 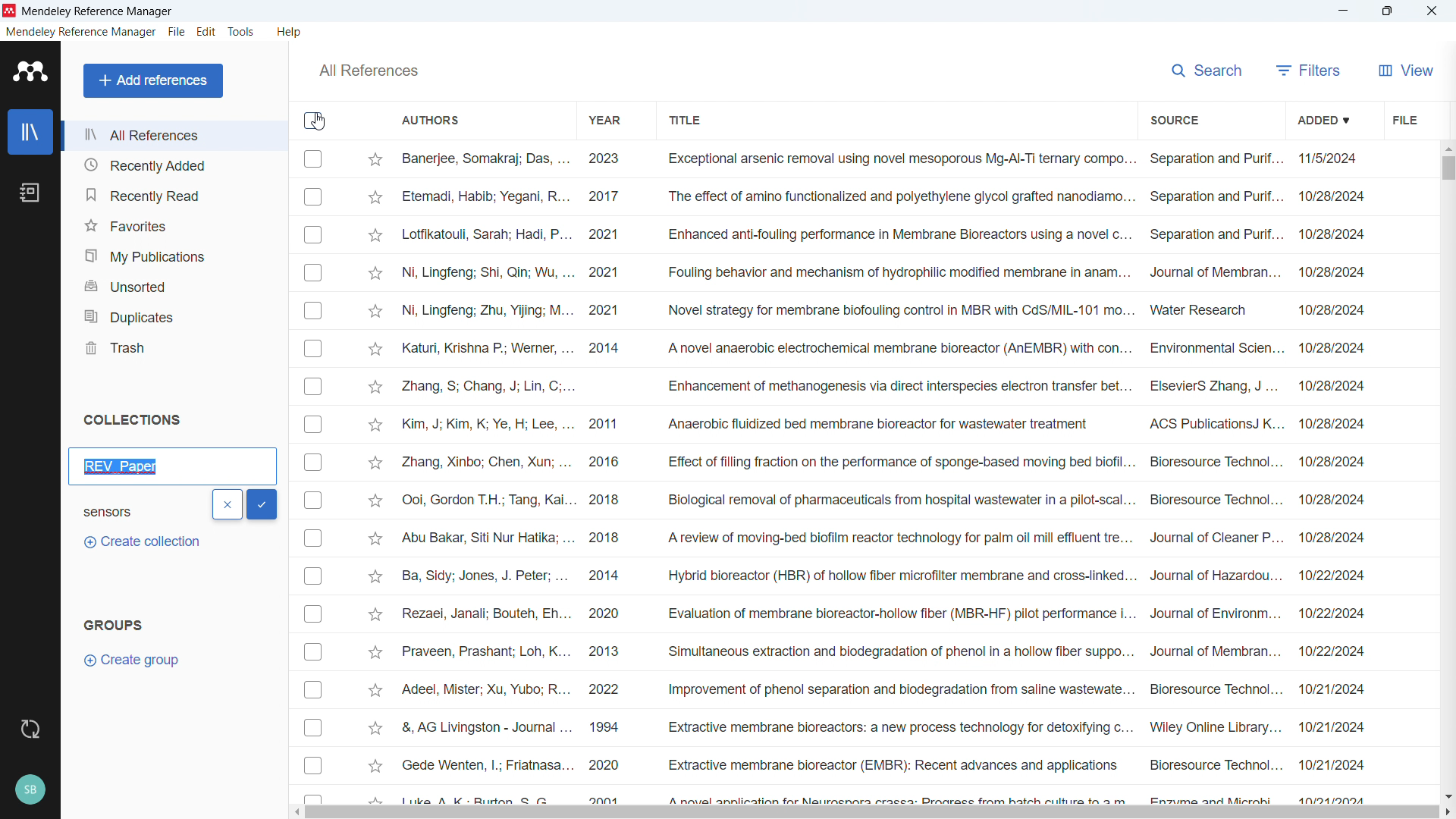 What do you see at coordinates (883, 461) in the screenshot?
I see `Zhang, Xinbo; Chen, Xun; ... 2016 Effect of filling fraction on the performance of sponge-based moving bed biofil... Bioresource Technol... 10/28/2024` at bounding box center [883, 461].